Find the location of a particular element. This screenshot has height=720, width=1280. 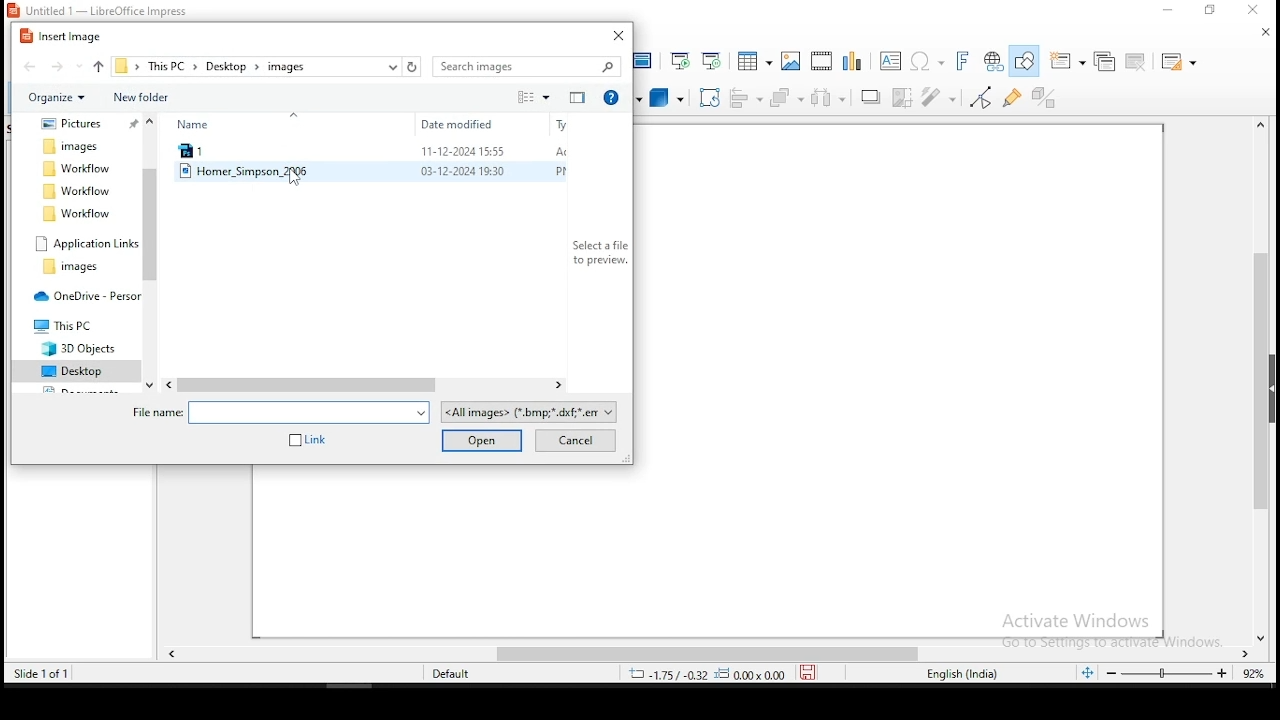

master slide is located at coordinates (645, 61).